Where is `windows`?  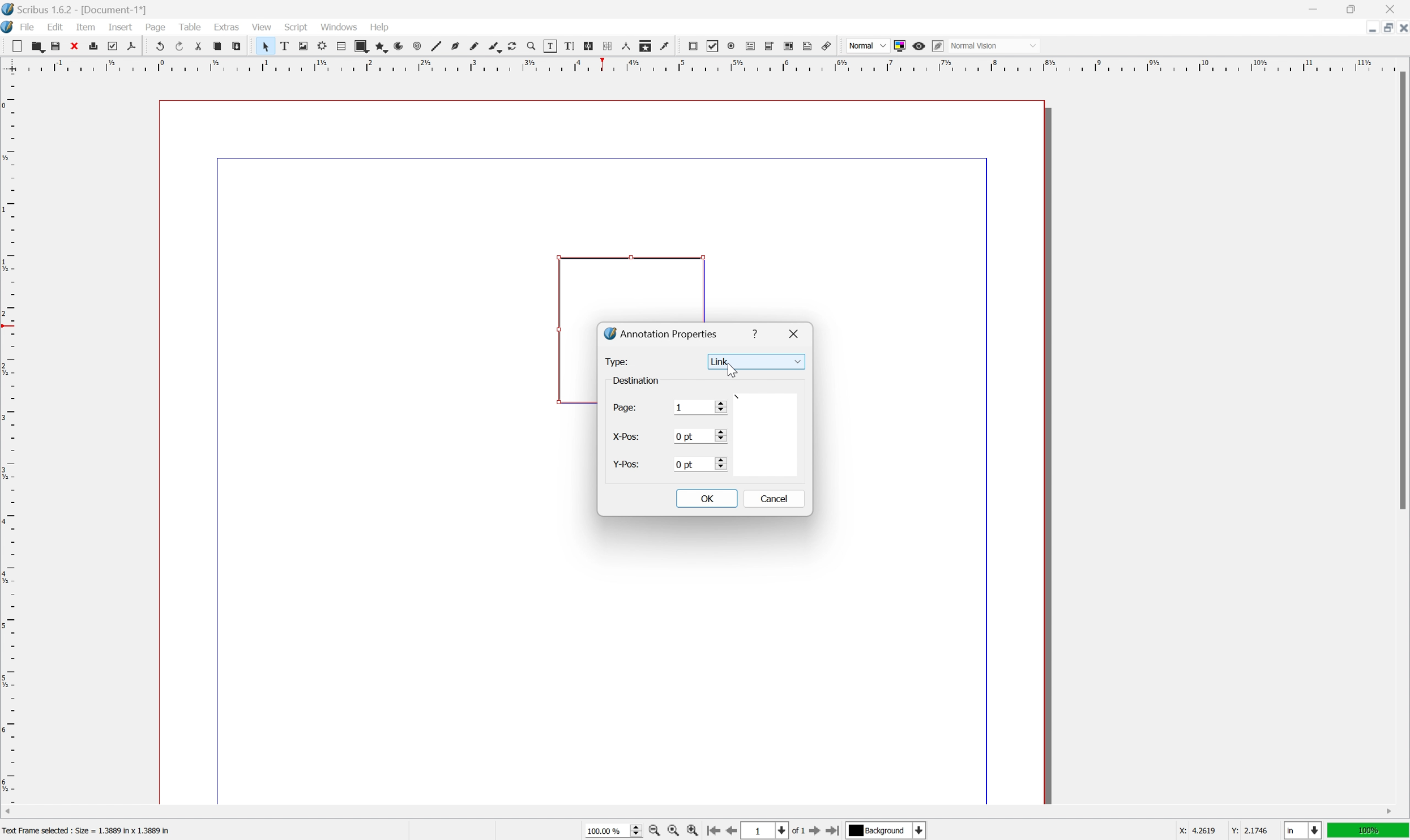
windows is located at coordinates (339, 26).